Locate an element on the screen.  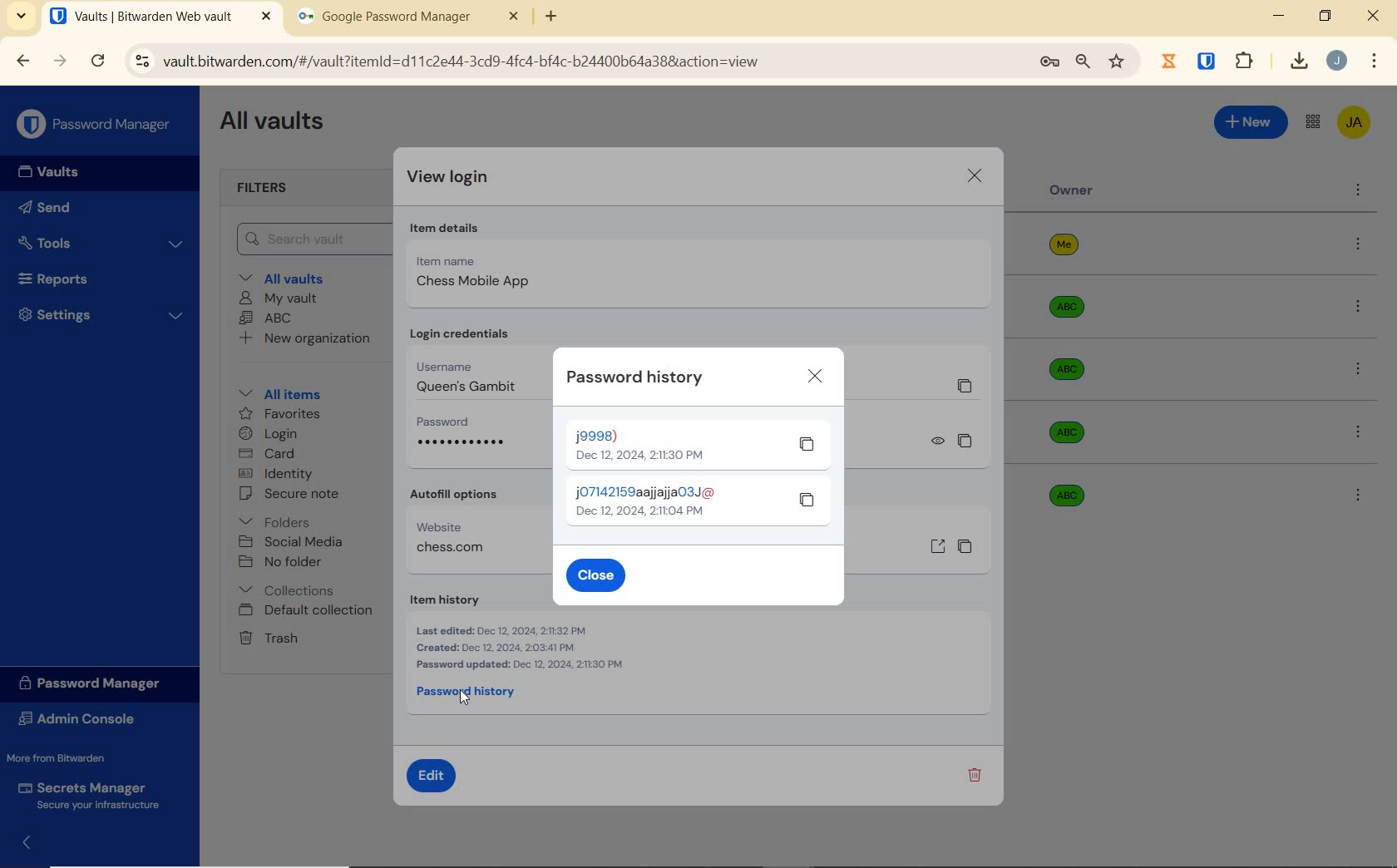
ABC is located at coordinates (268, 318).